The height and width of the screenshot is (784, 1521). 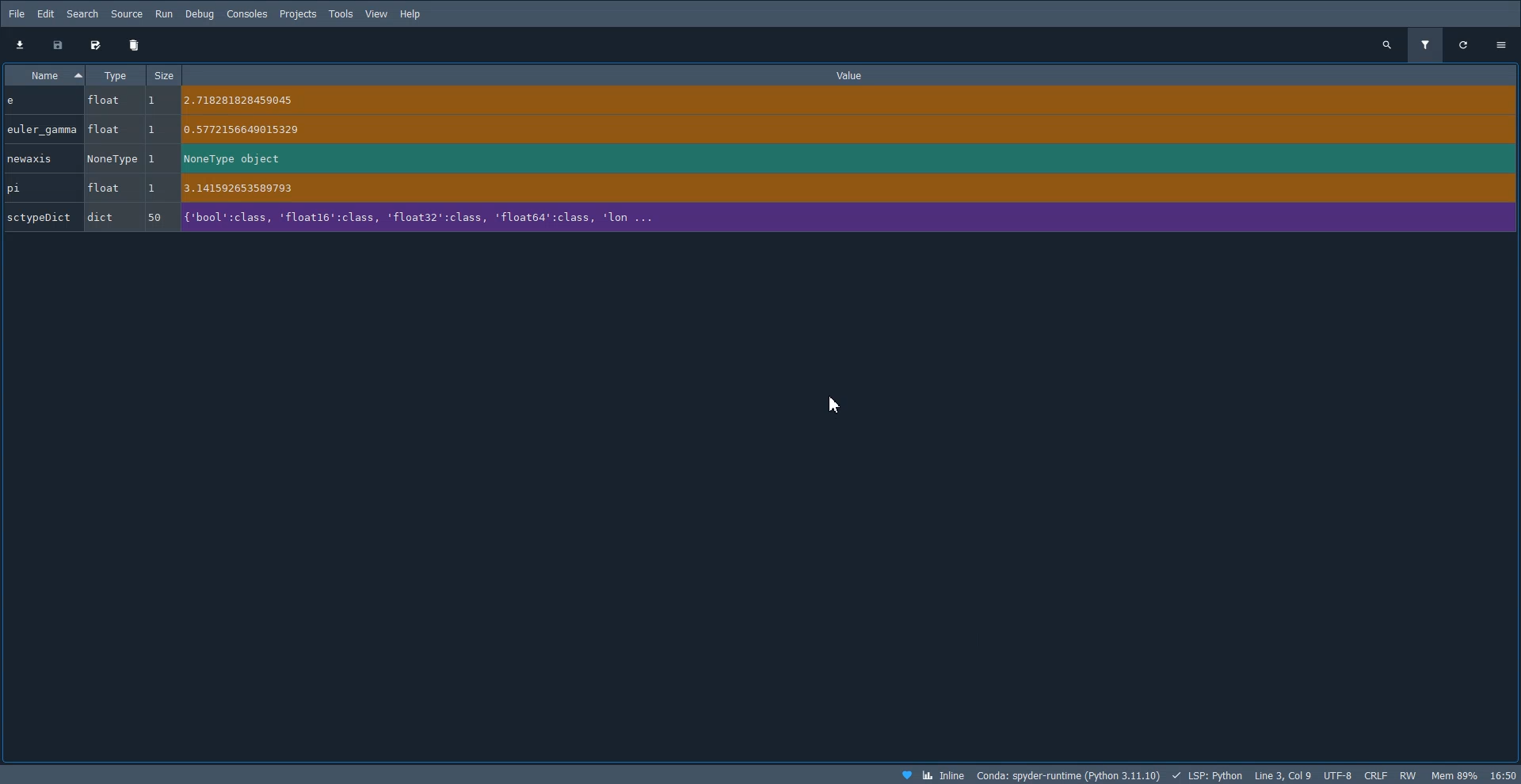 I want to click on UTF-8, so click(x=1340, y=774).